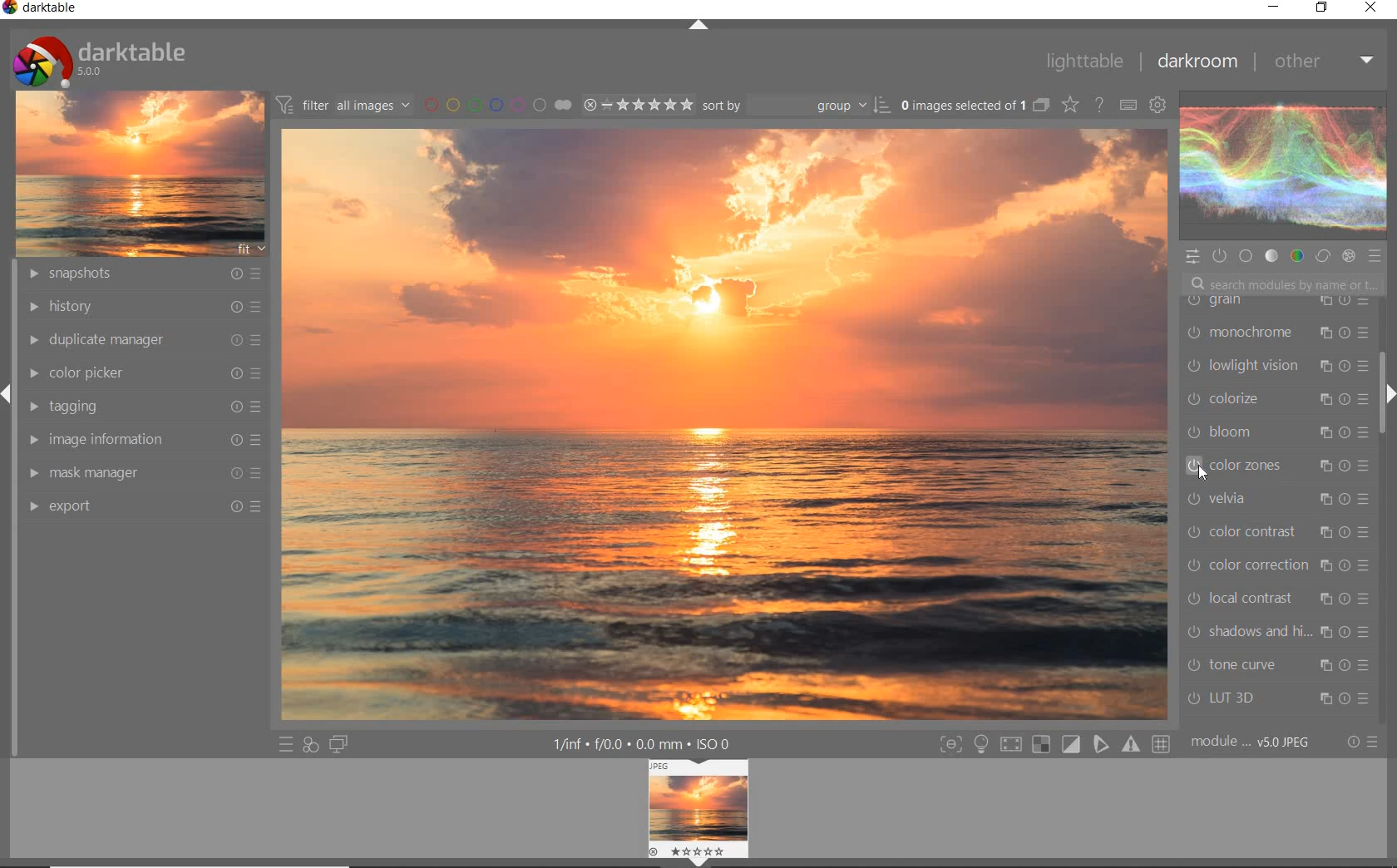 The height and width of the screenshot is (868, 1397). I want to click on Cursor, so click(1200, 467).